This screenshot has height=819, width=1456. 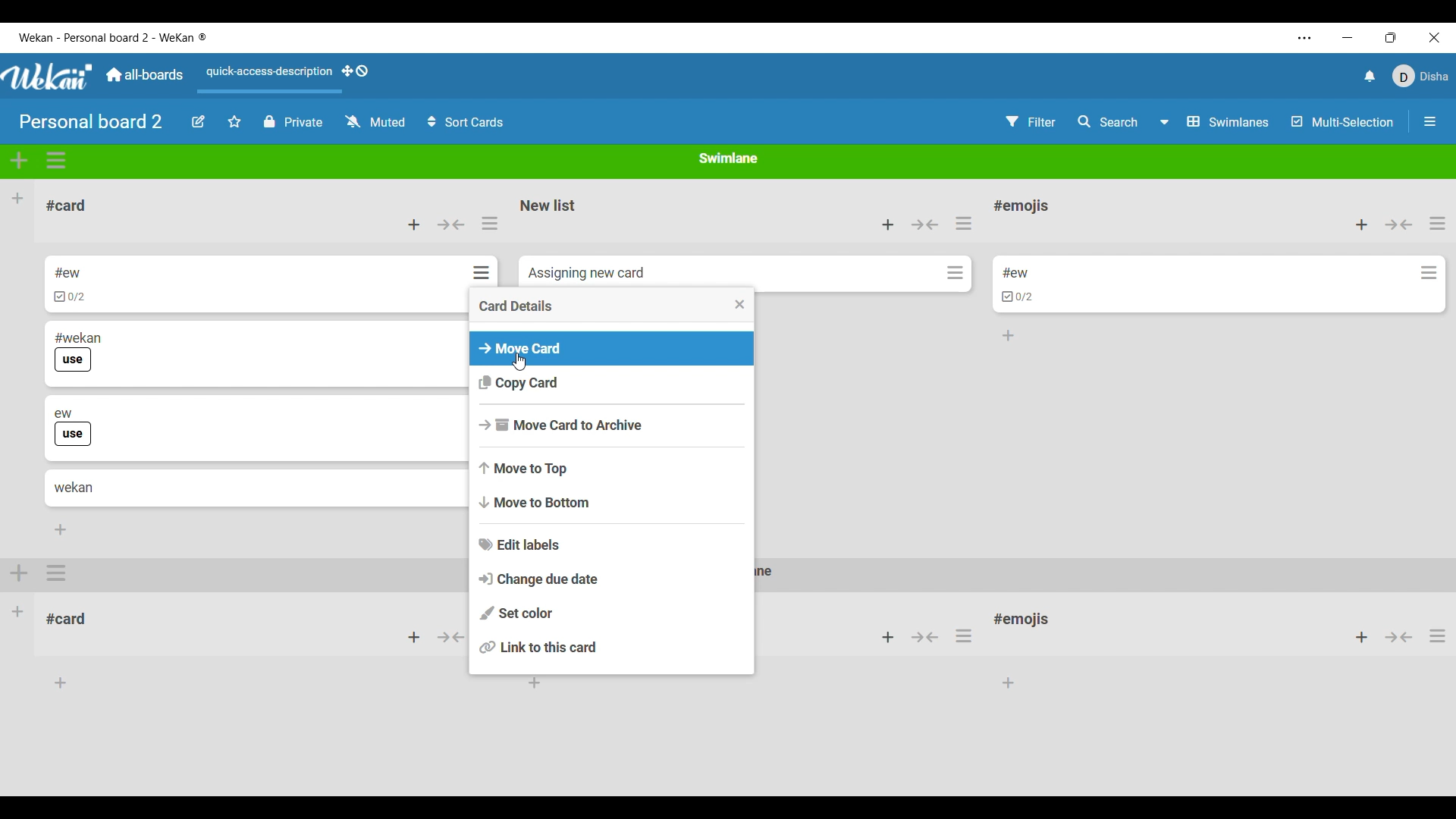 What do you see at coordinates (235, 121) in the screenshot?
I see `Star board` at bounding box center [235, 121].